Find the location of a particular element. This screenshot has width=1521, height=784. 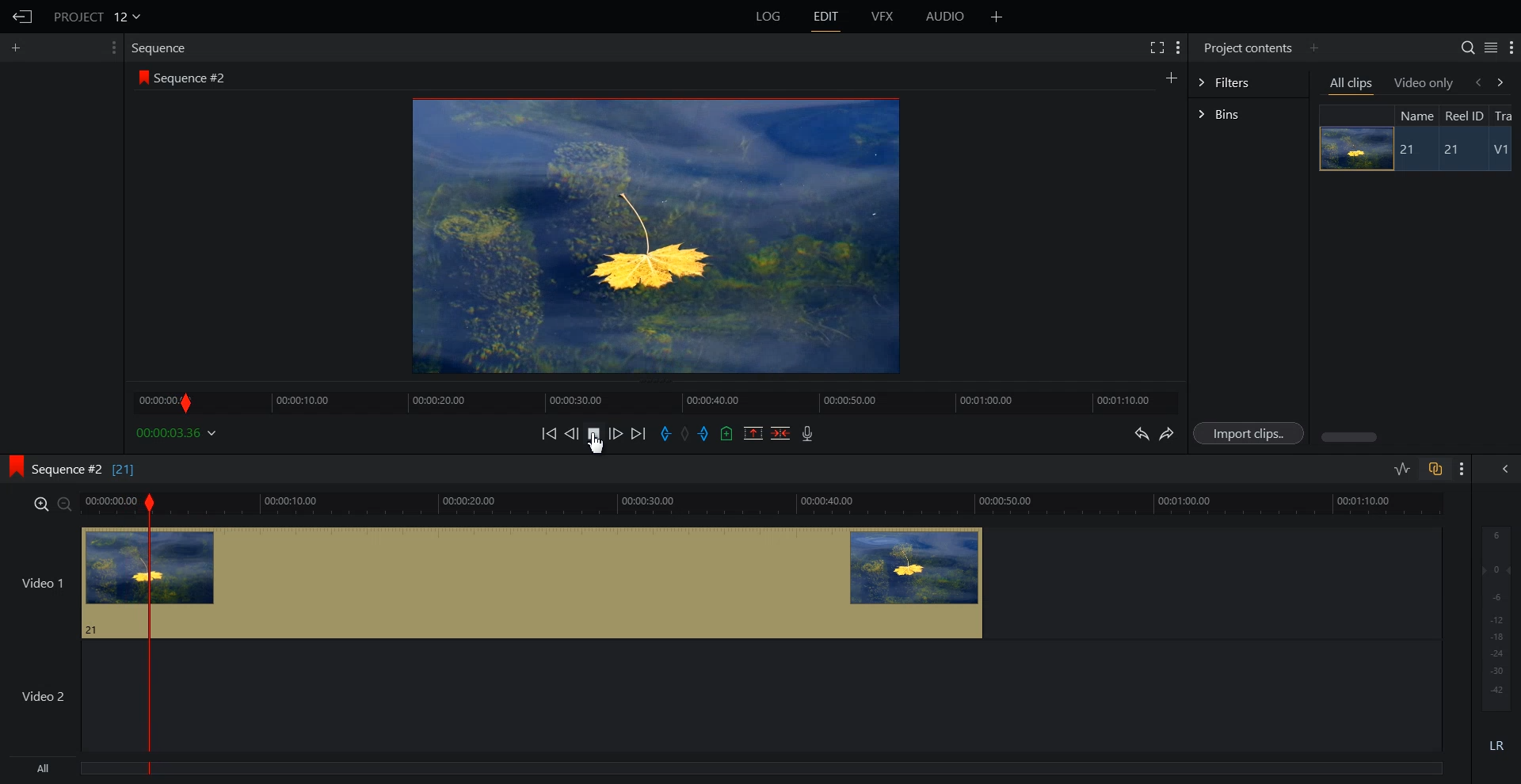

Add panel is located at coordinates (20, 48).